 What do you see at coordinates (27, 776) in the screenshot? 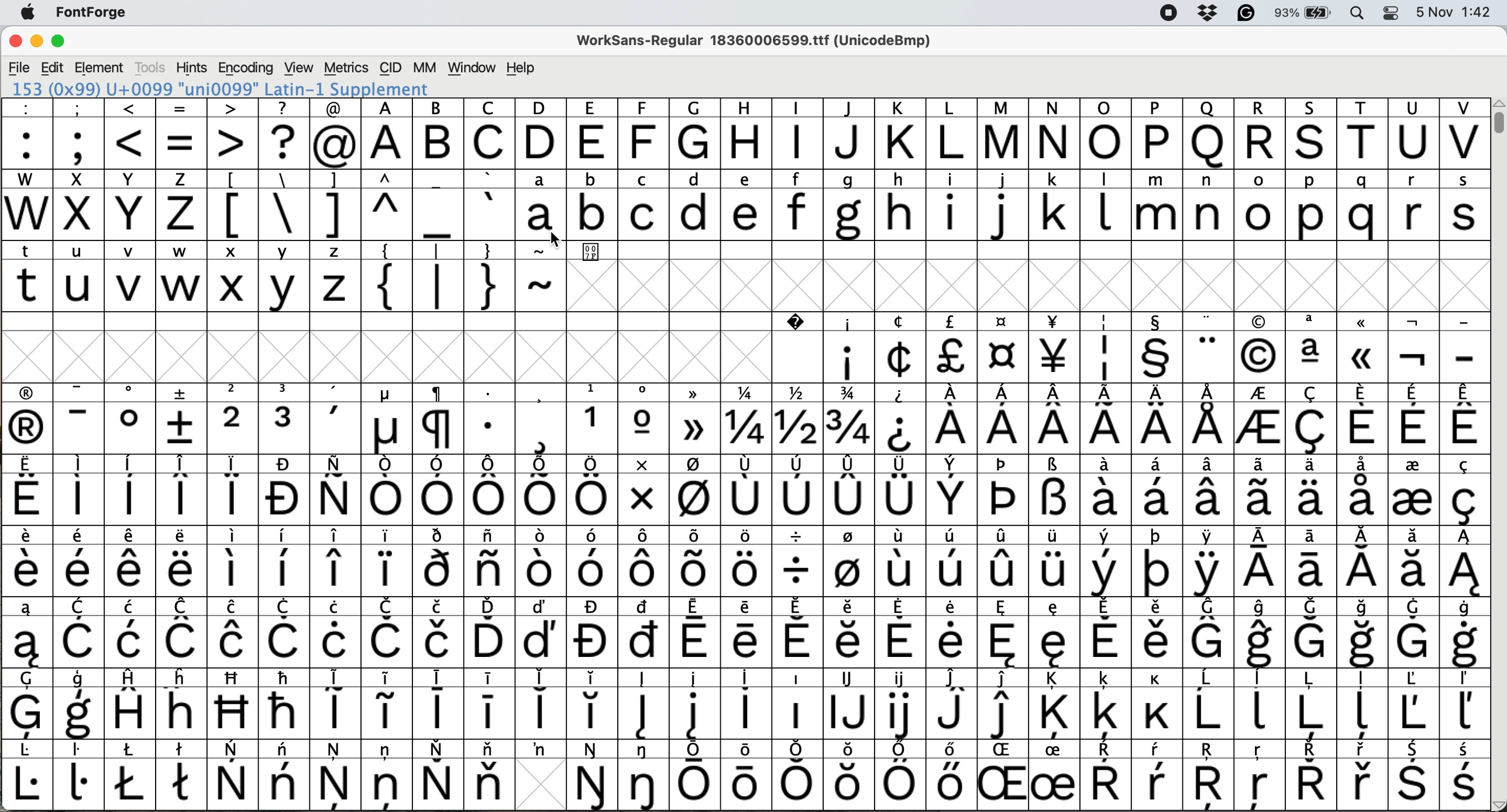
I see `symbol` at bounding box center [27, 776].